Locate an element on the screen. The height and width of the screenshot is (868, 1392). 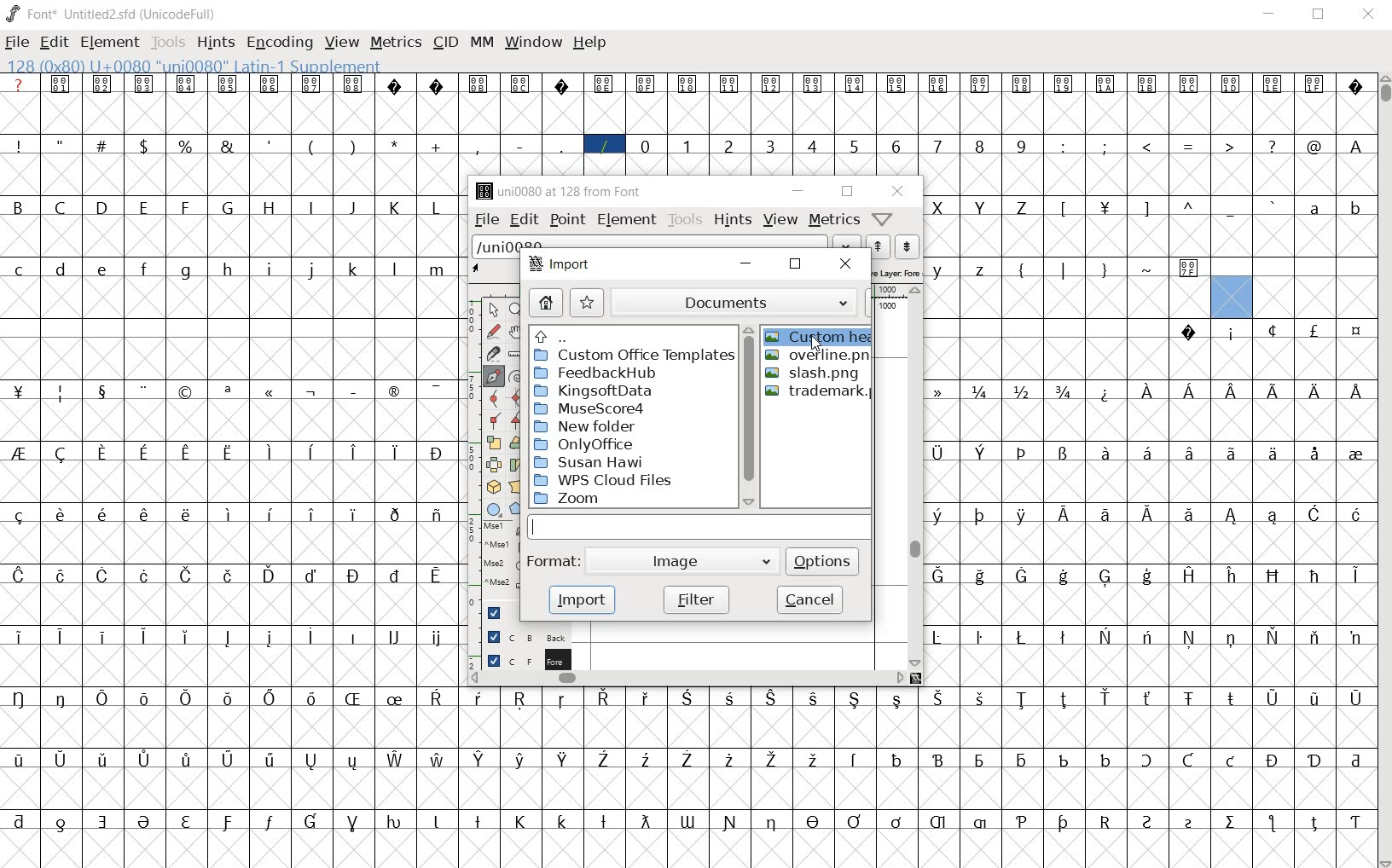
glyph is located at coordinates (101, 636).